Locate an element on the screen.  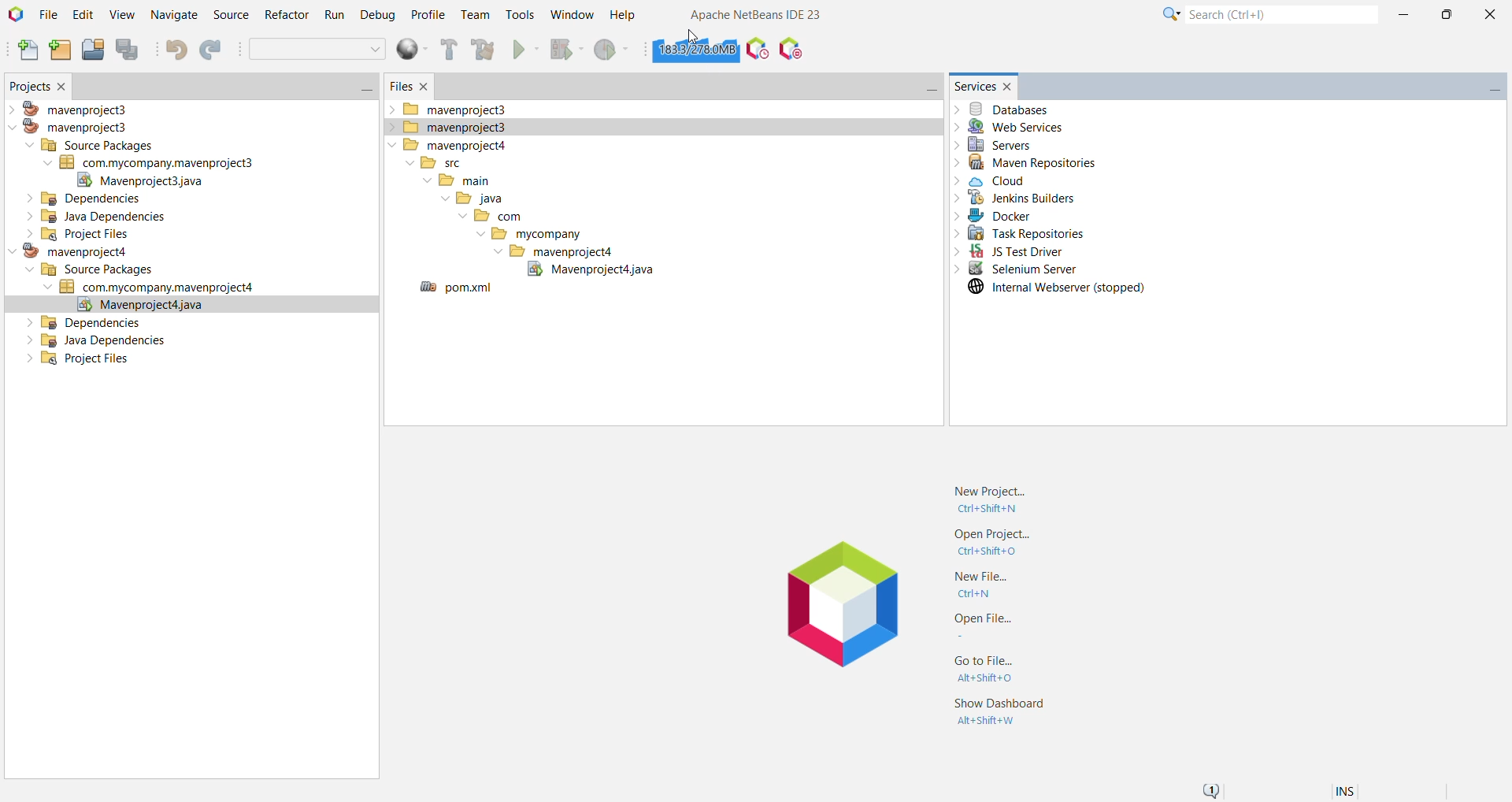
Maximize is located at coordinates (1446, 15).